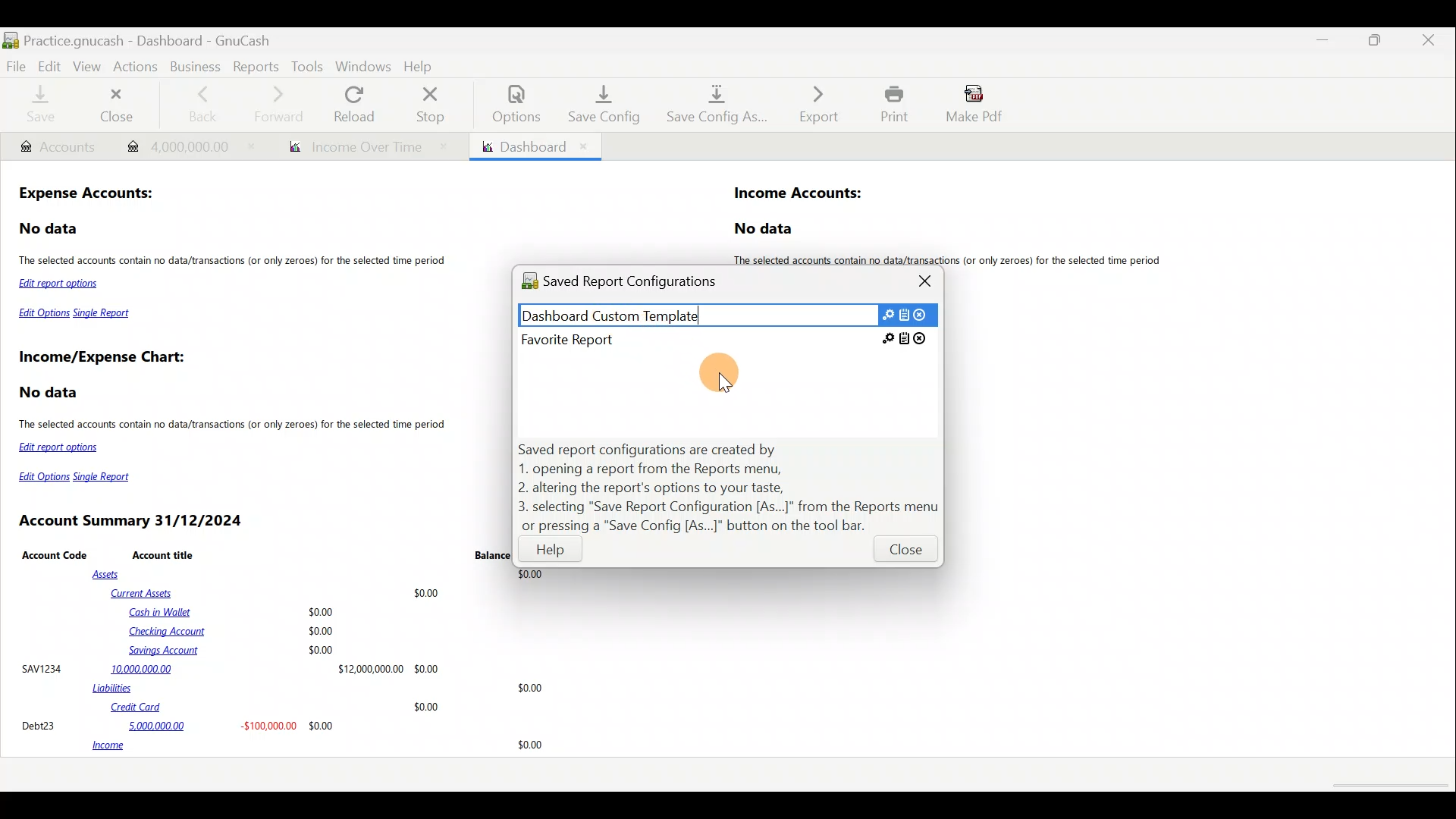 The image size is (1456, 819). I want to click on Cursor, so click(729, 372).